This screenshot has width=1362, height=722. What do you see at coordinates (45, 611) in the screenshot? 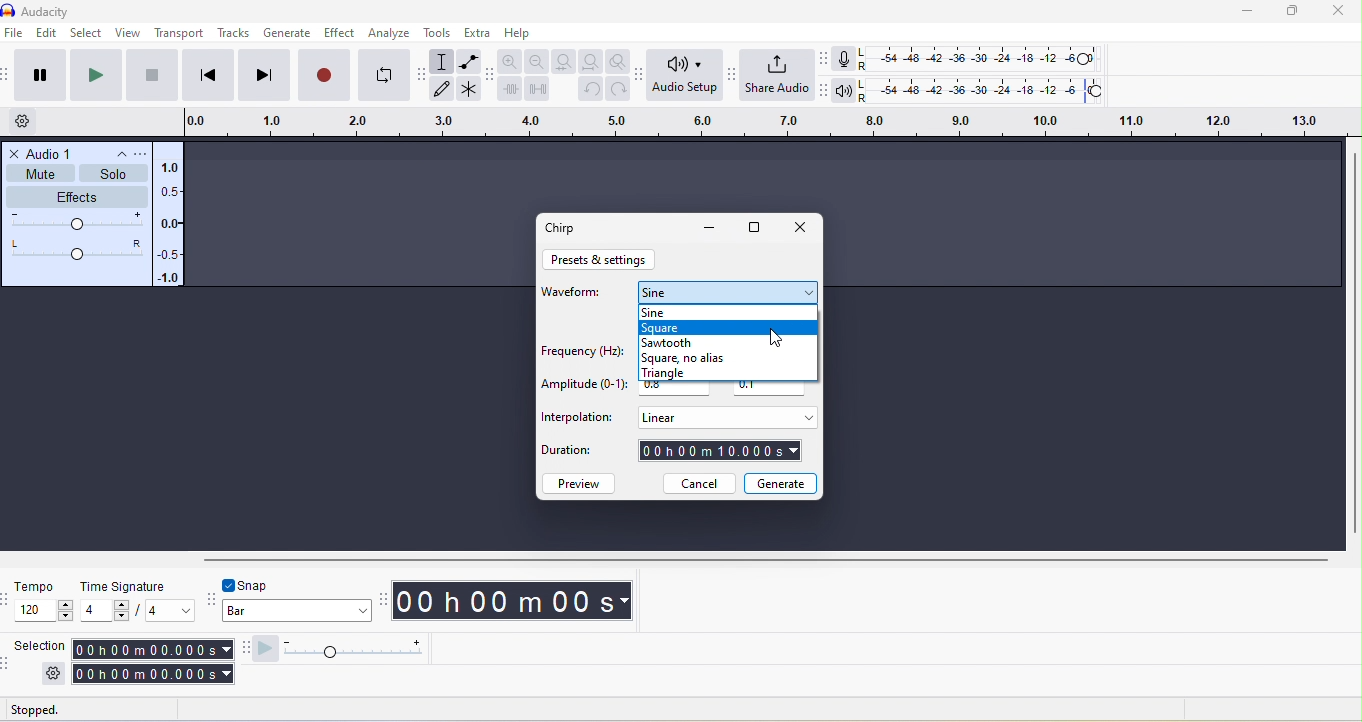
I see `120` at bounding box center [45, 611].